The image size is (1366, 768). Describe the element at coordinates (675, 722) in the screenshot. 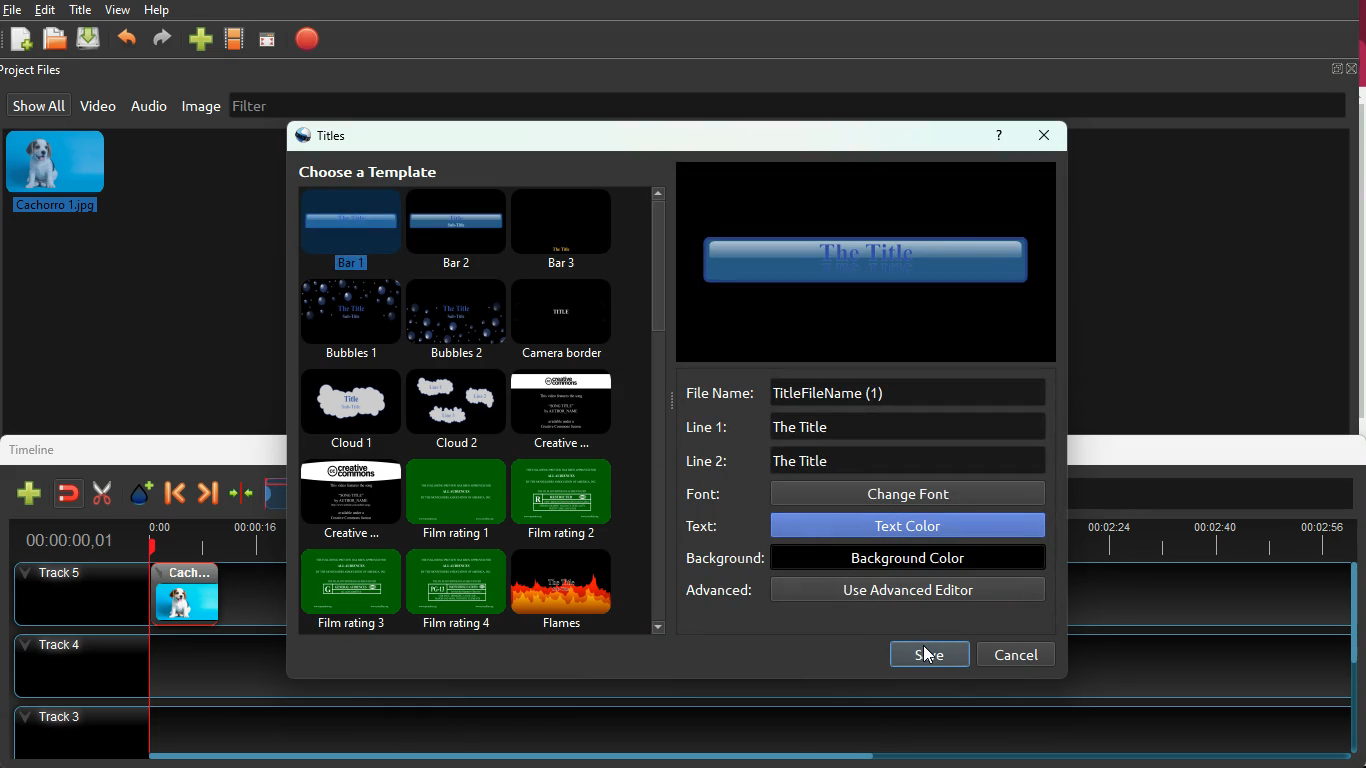

I see `Track 3` at that location.